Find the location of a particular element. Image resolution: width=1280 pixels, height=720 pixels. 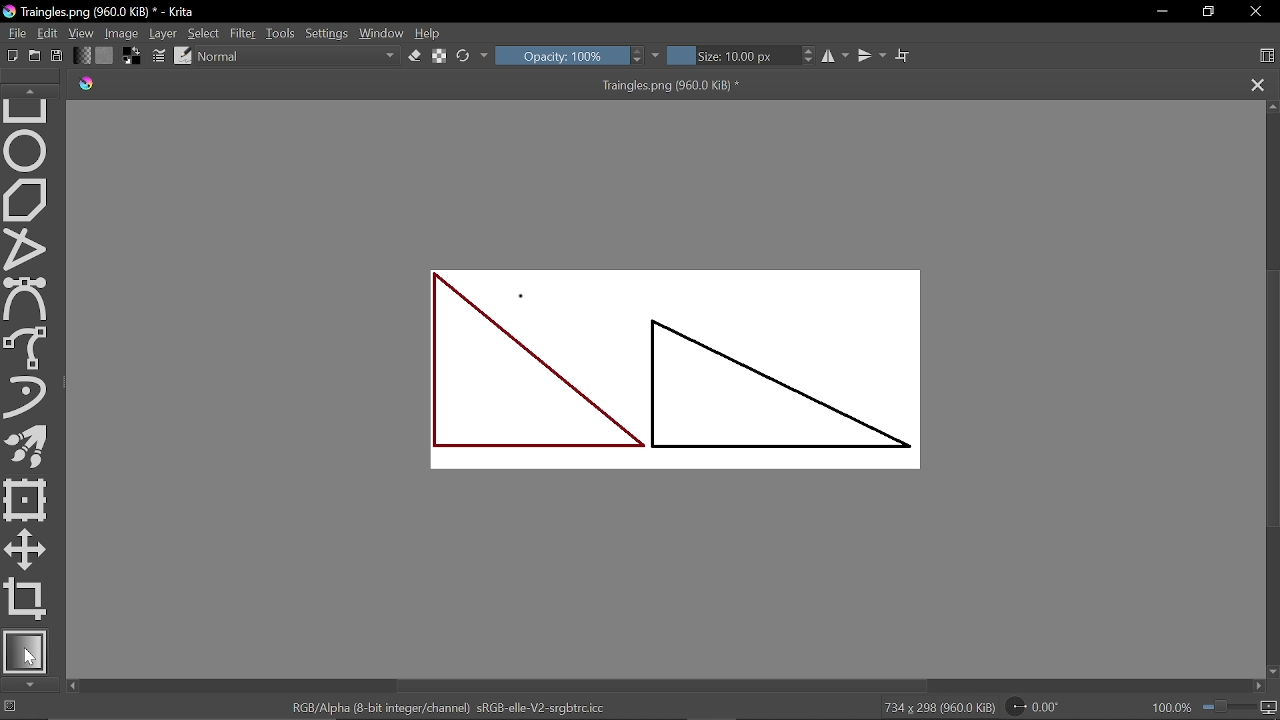

Window is located at coordinates (382, 33).